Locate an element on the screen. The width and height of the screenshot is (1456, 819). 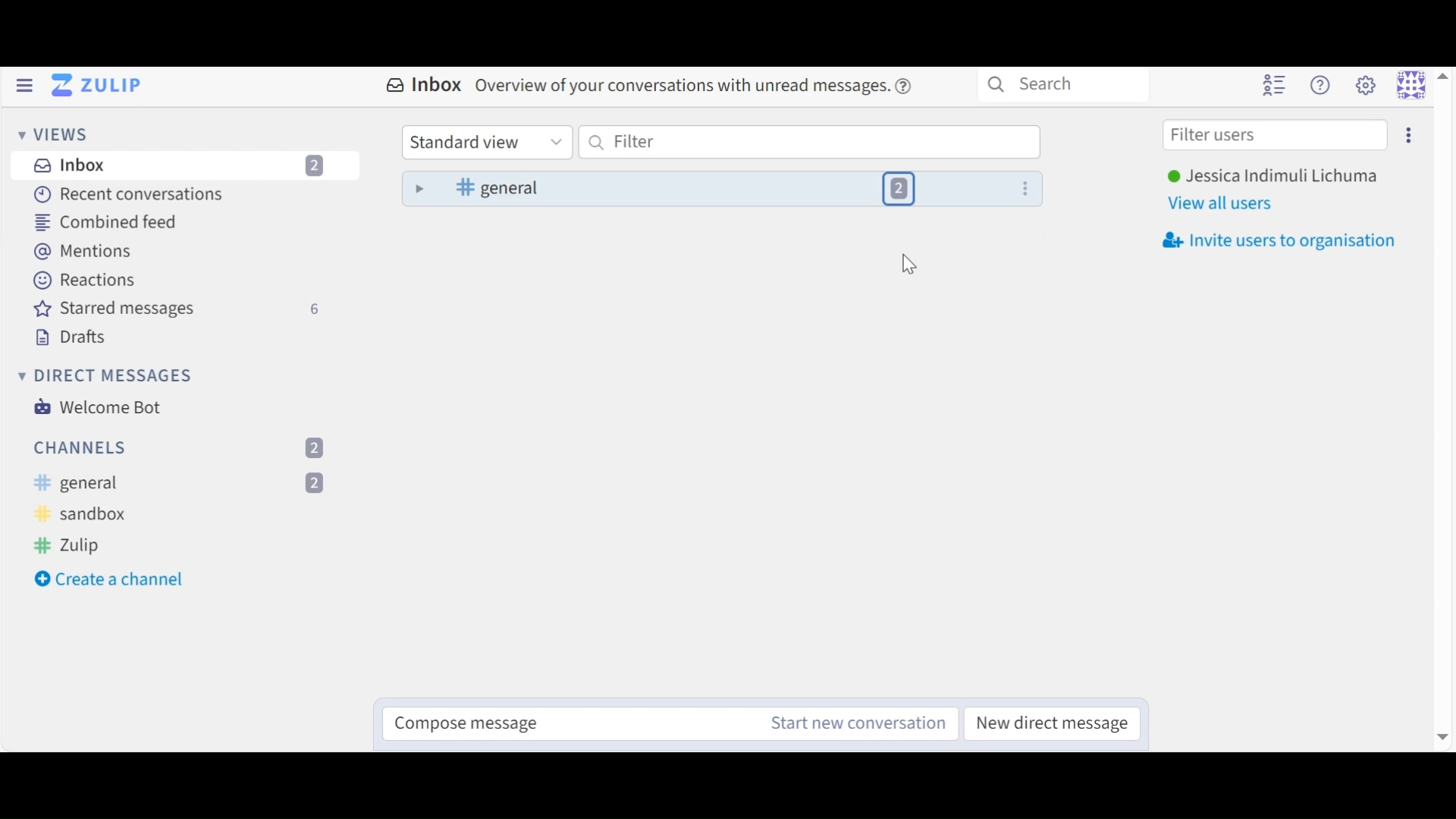
Search is located at coordinates (1063, 86).